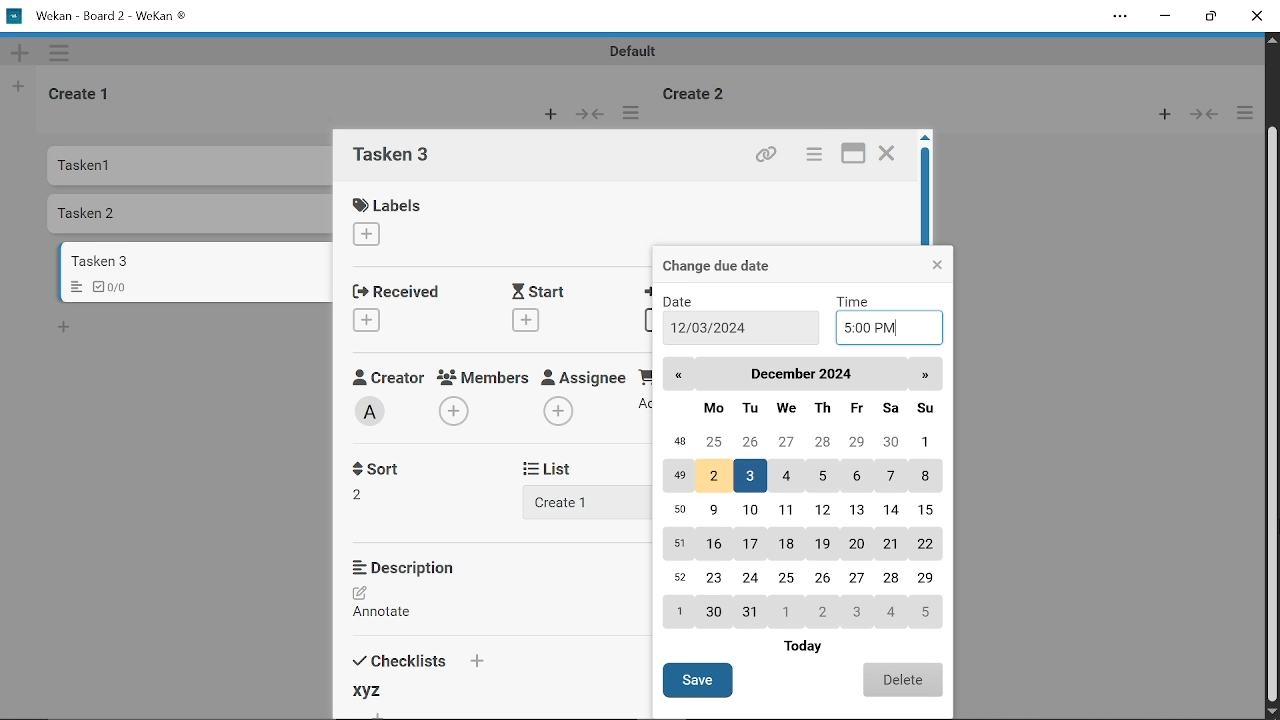 This screenshot has width=1280, height=720. Describe the element at coordinates (681, 373) in the screenshot. I see `Back` at that location.